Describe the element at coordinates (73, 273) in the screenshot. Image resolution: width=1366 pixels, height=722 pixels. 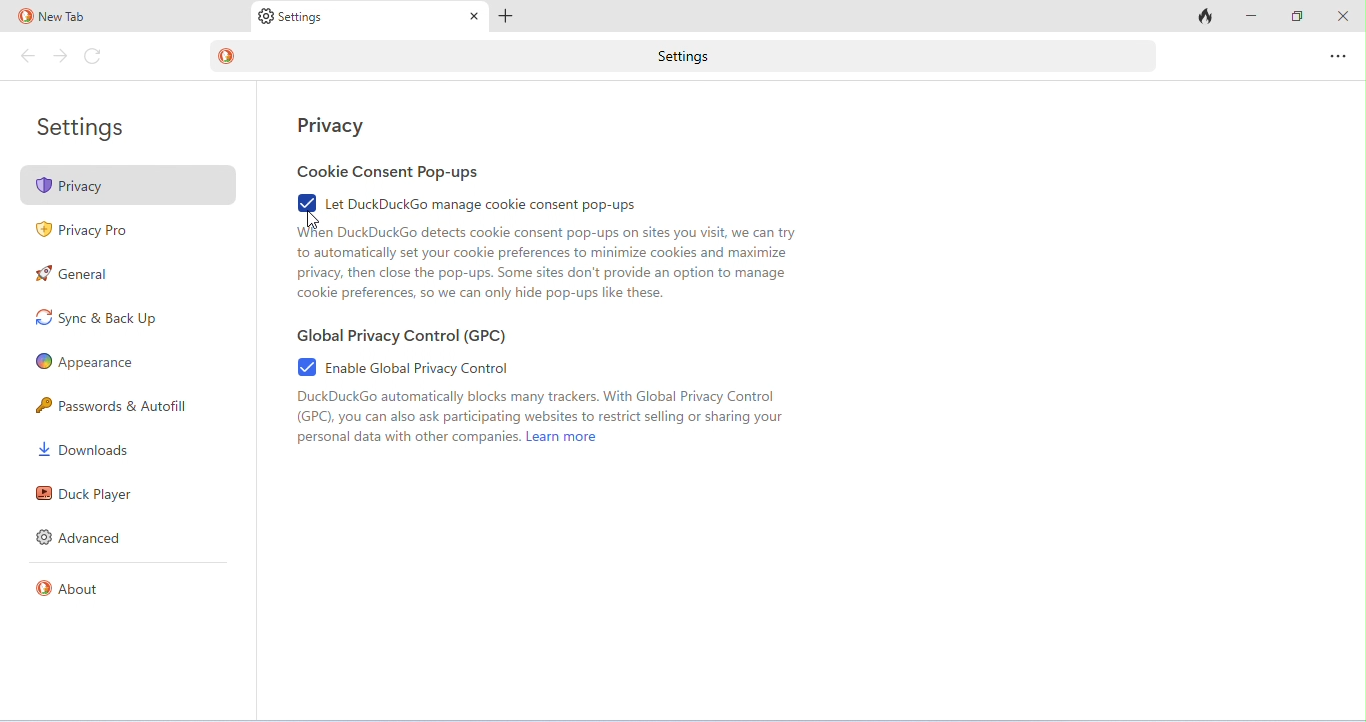
I see `general` at that location.